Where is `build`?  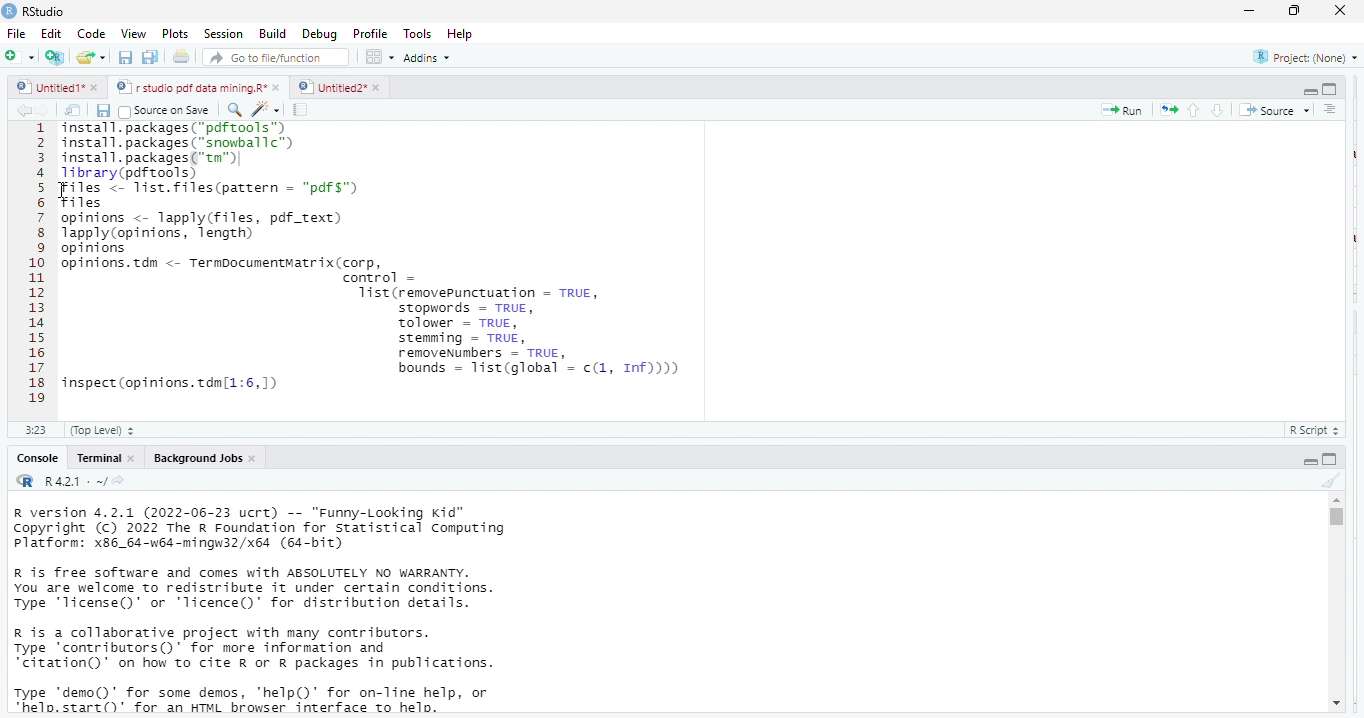
build is located at coordinates (273, 33).